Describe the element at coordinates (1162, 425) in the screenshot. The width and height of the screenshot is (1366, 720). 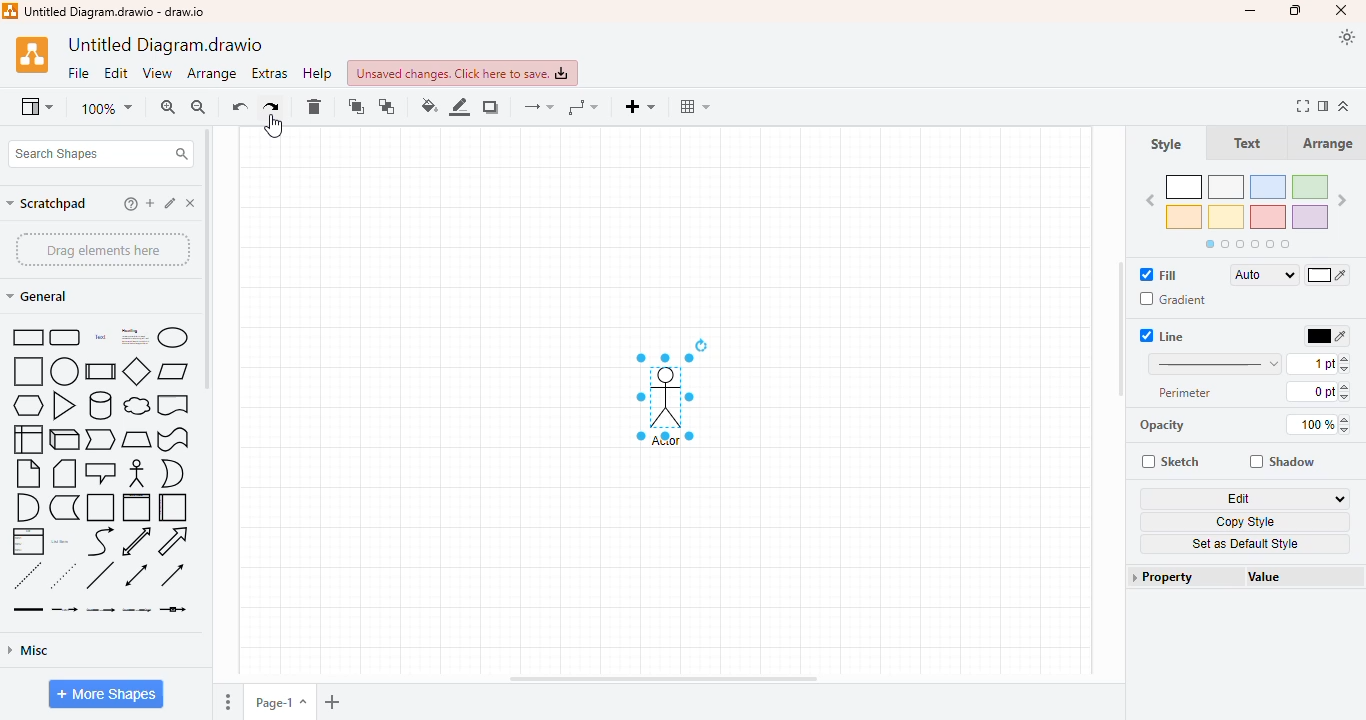
I see `opacity` at that location.